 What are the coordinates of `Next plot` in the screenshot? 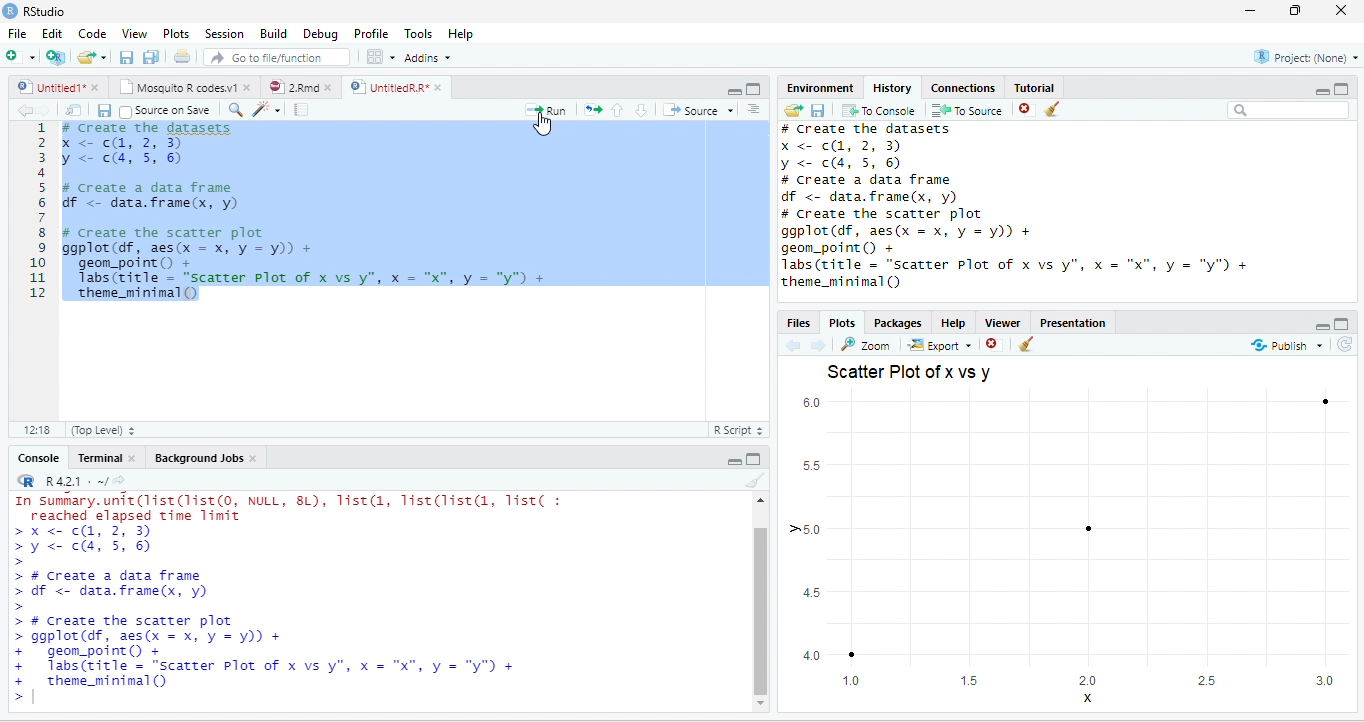 It's located at (818, 345).